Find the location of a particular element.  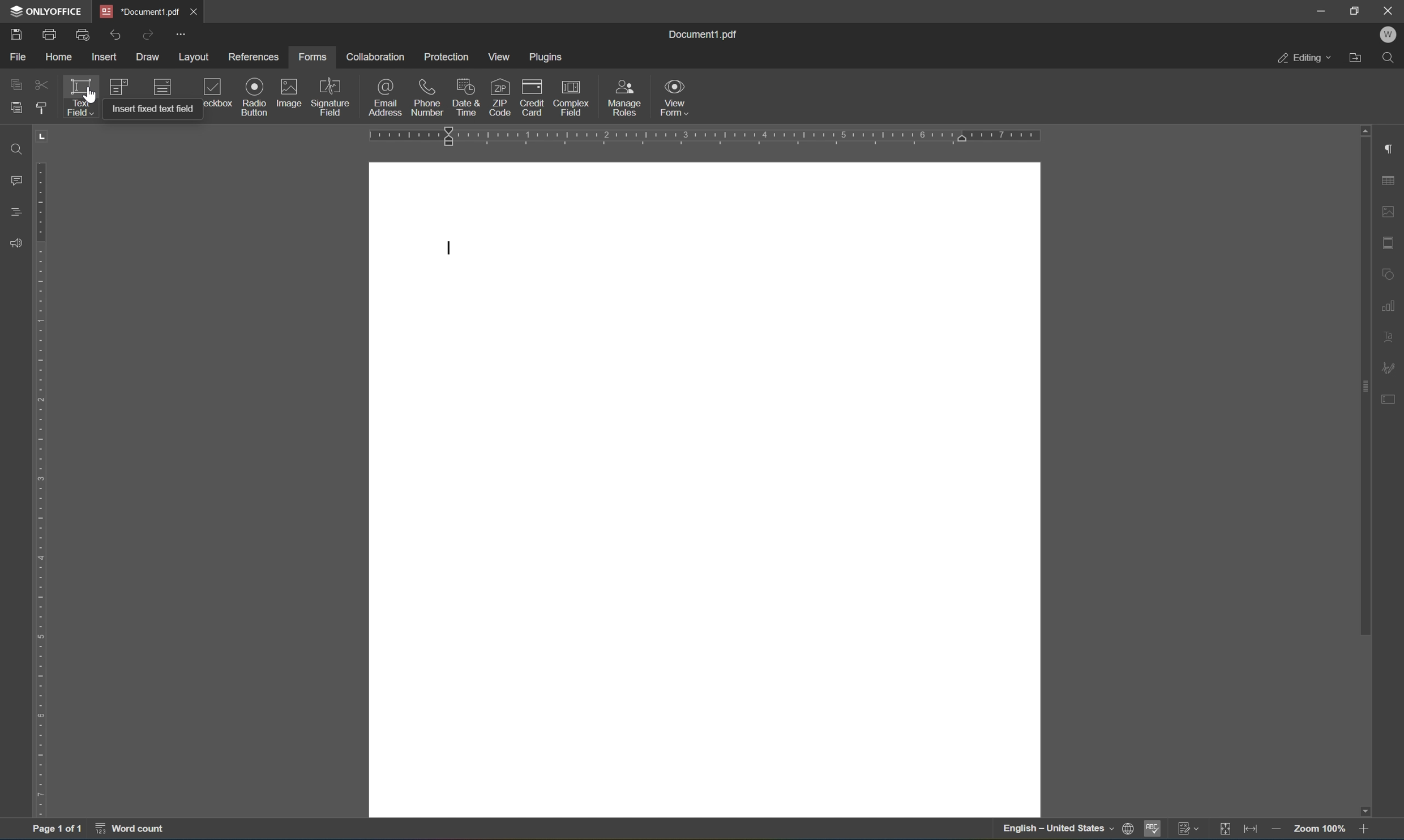

signature settings is located at coordinates (1388, 365).